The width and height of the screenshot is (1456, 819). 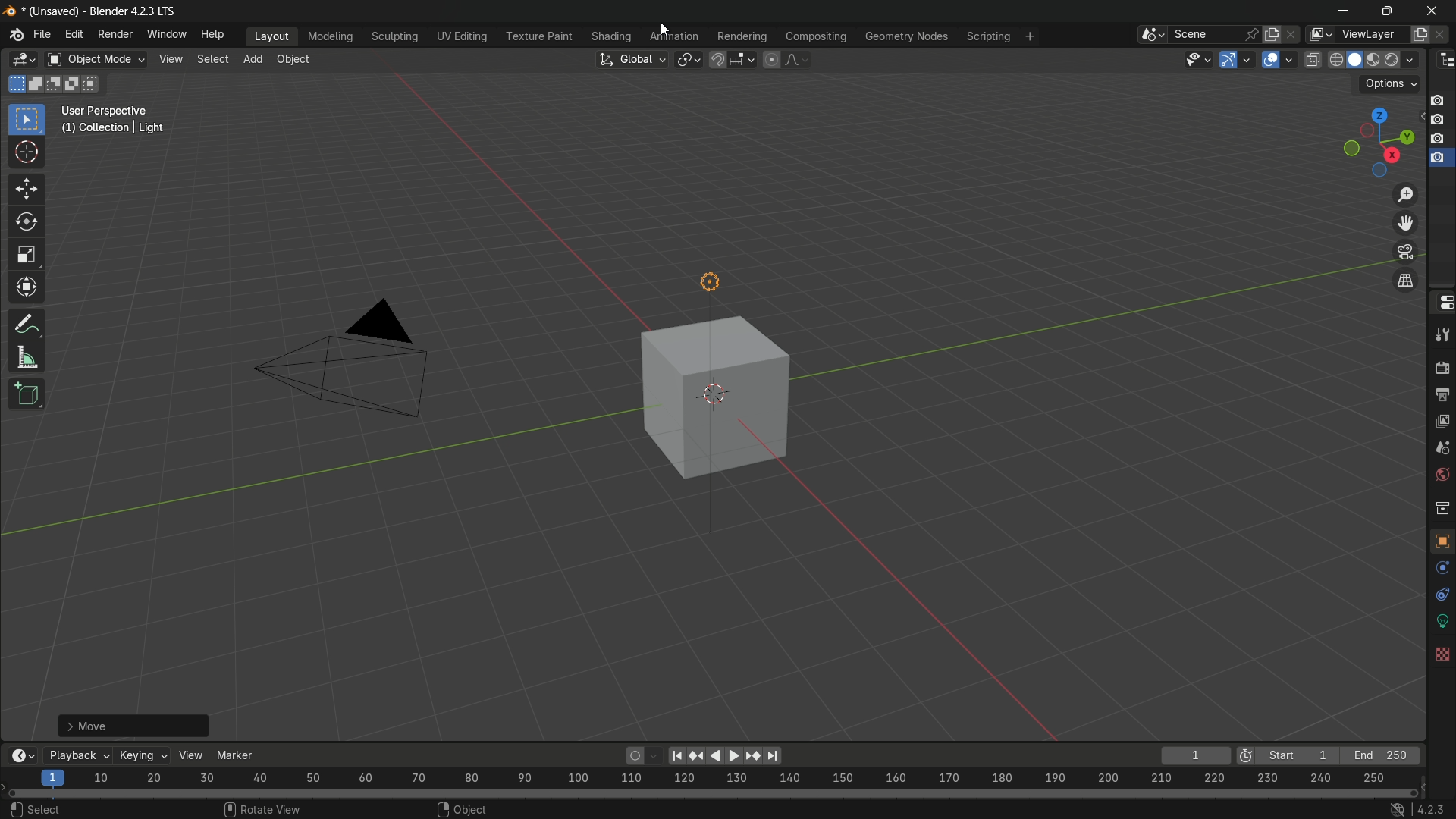 I want to click on scripting menu, so click(x=990, y=37).